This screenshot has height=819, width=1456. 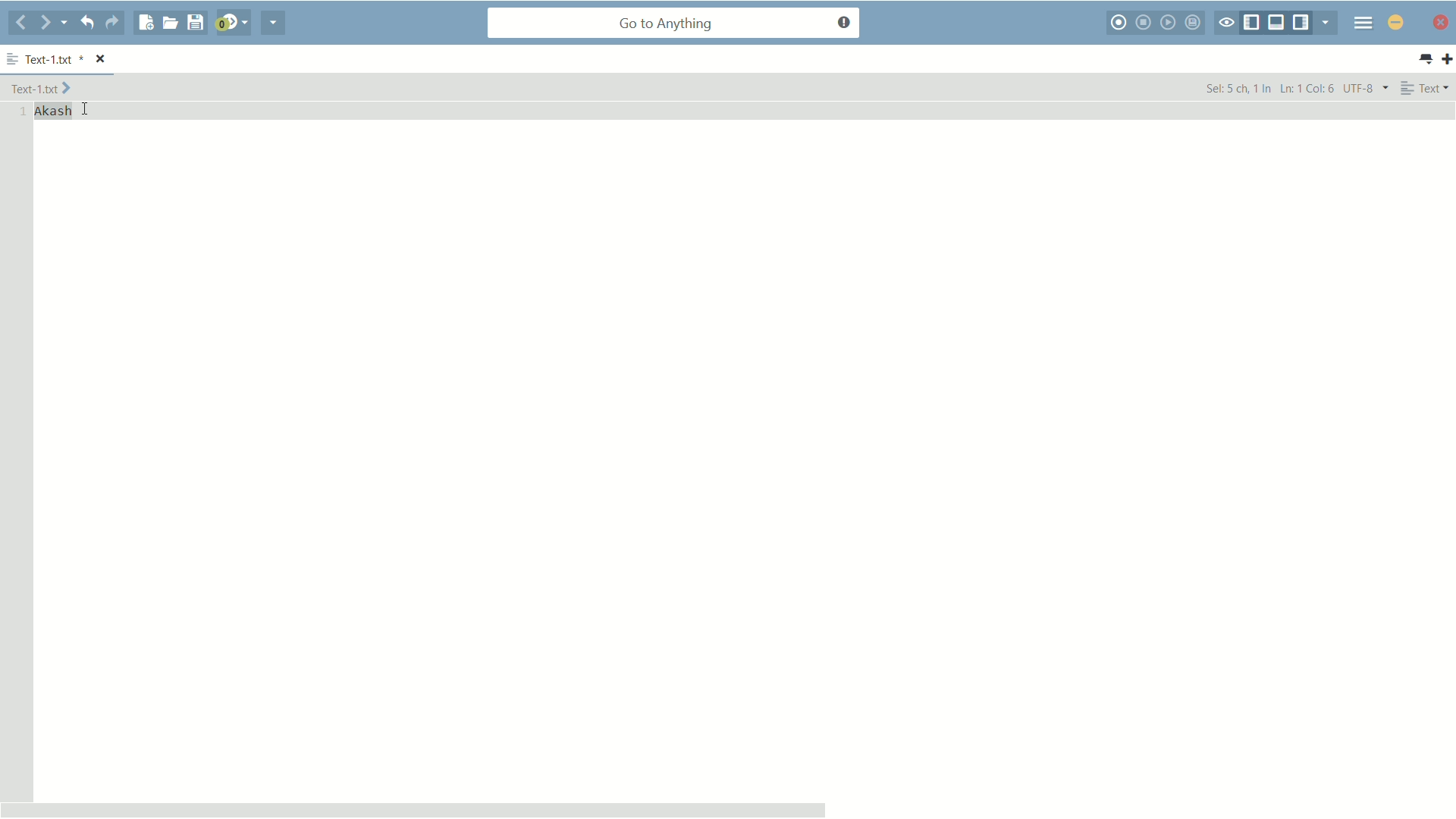 What do you see at coordinates (1303, 23) in the screenshot?
I see `hide/show right panel` at bounding box center [1303, 23].